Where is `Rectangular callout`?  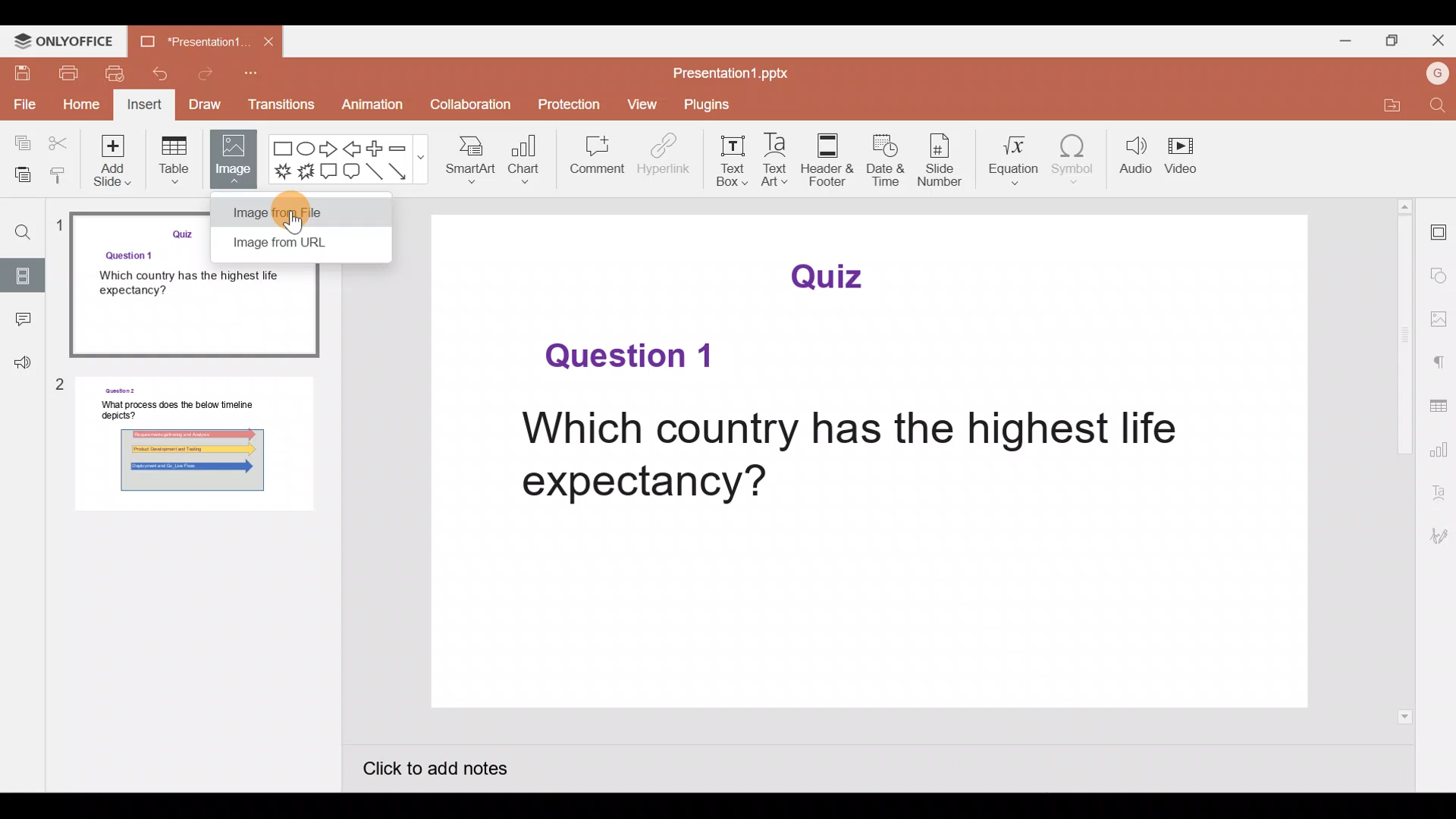
Rectangular callout is located at coordinates (329, 174).